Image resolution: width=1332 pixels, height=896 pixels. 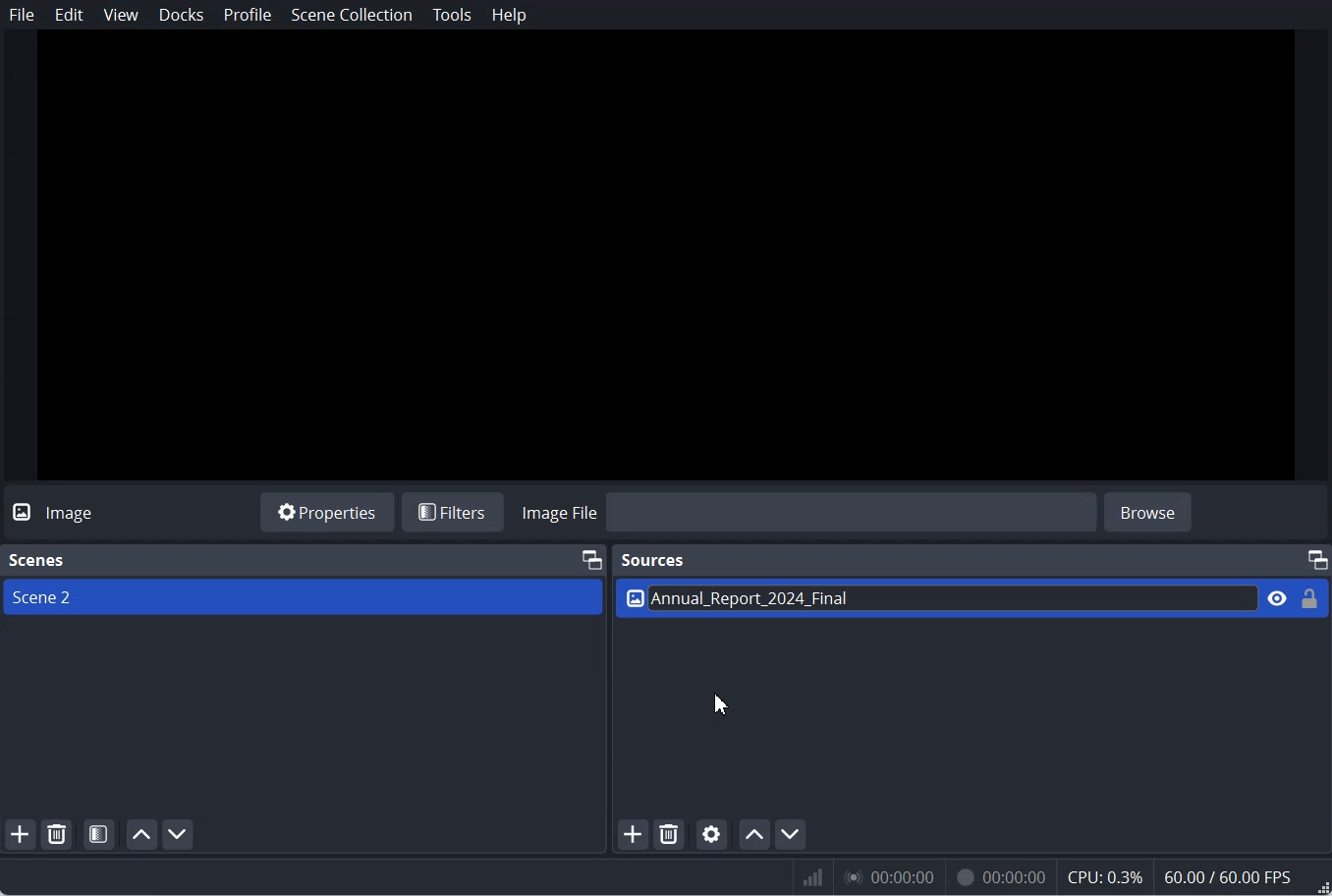 What do you see at coordinates (121, 15) in the screenshot?
I see `View` at bounding box center [121, 15].